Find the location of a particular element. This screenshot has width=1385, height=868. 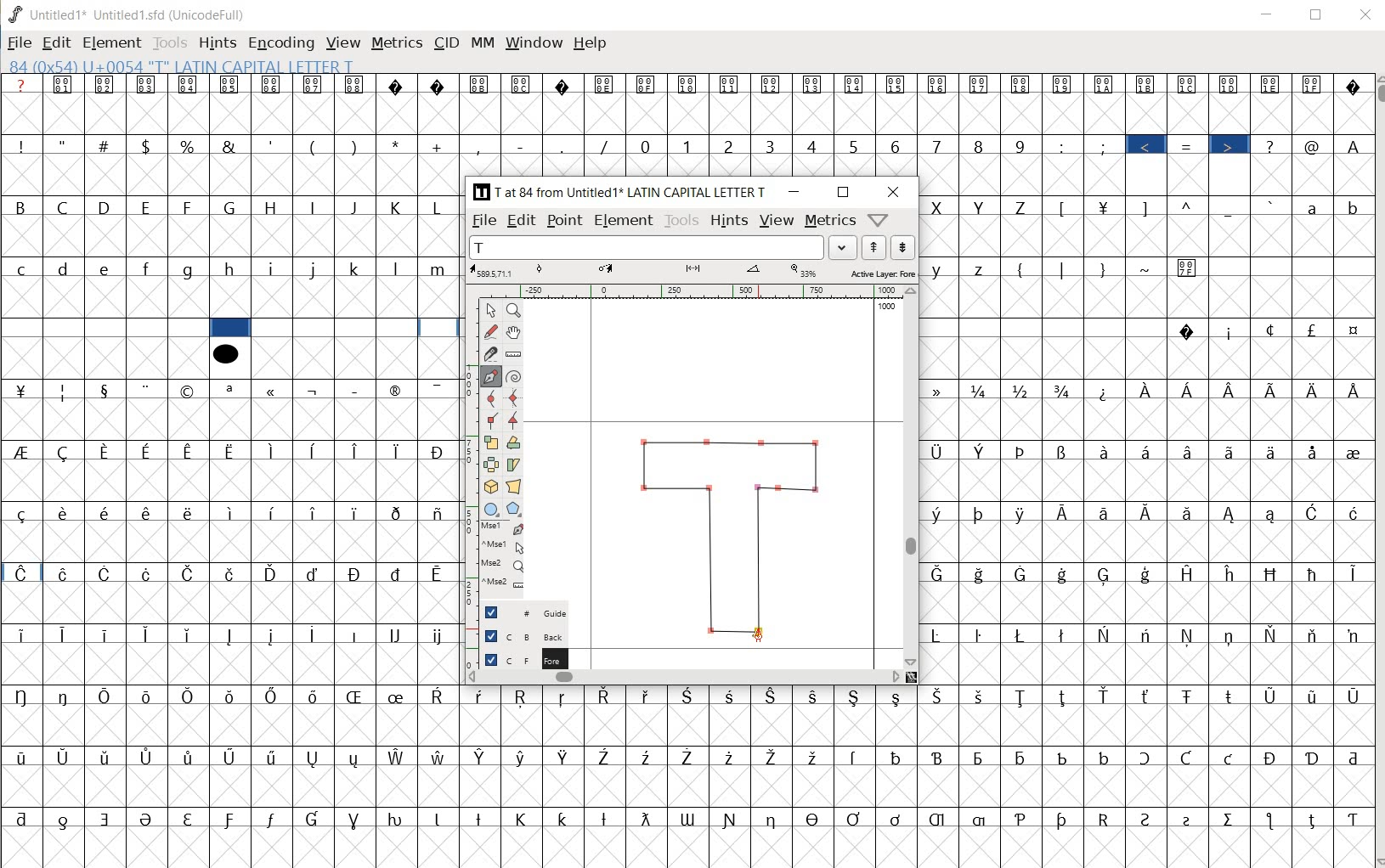

Symbol is located at coordinates (108, 451).